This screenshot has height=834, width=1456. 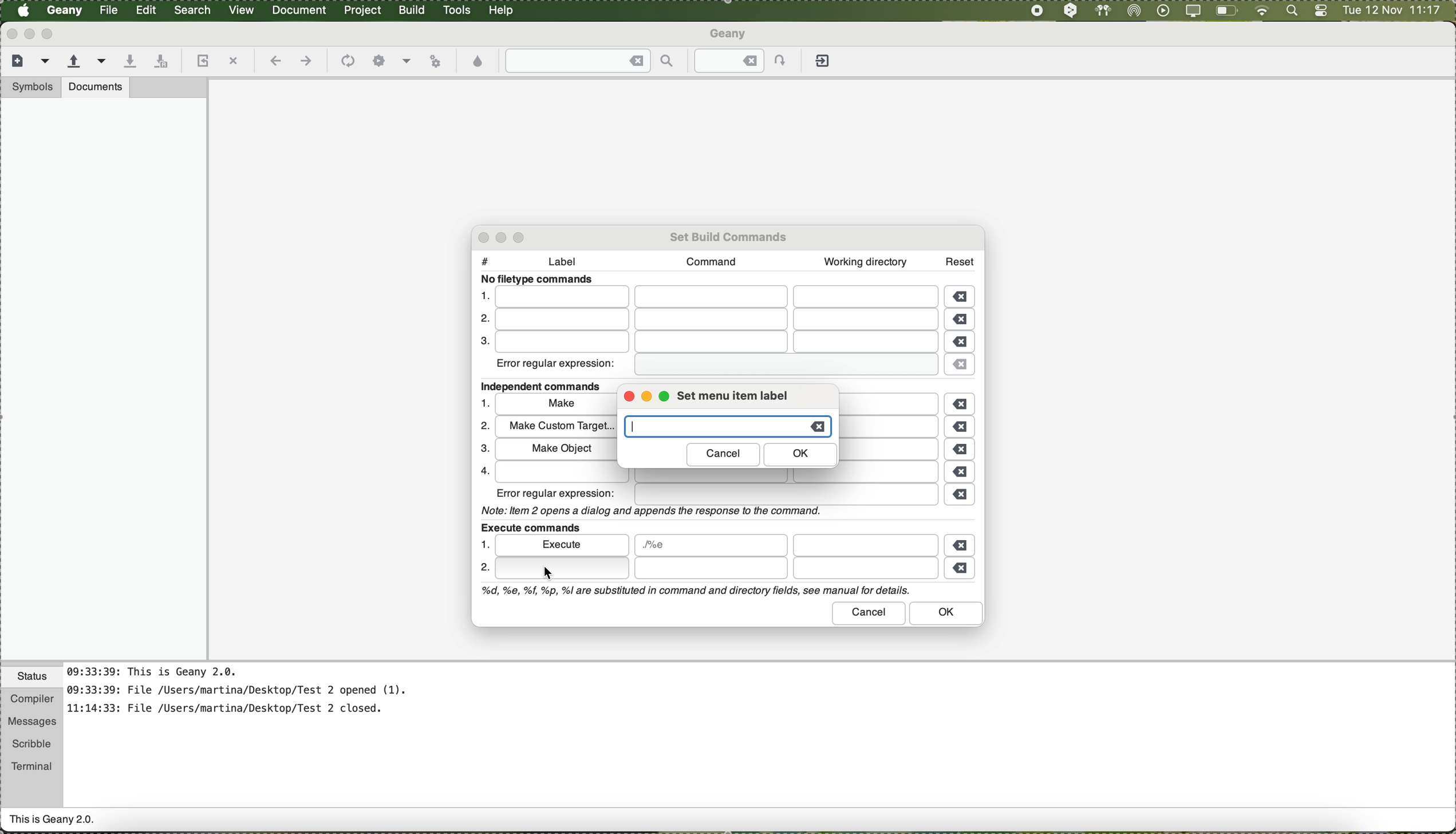 I want to click on minimize, so click(x=647, y=399).